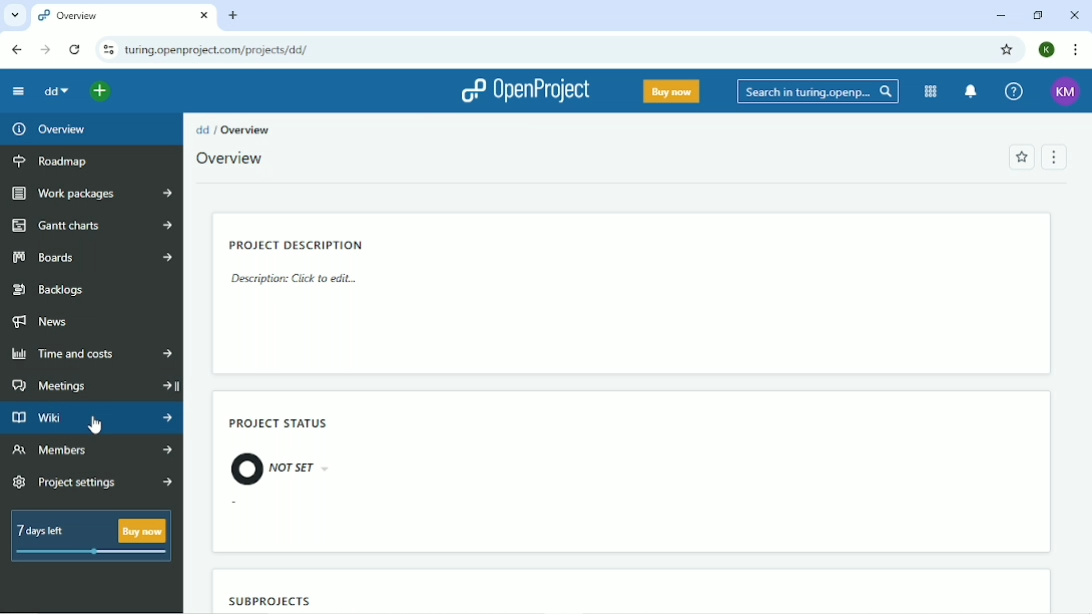 Image resolution: width=1092 pixels, height=614 pixels. What do you see at coordinates (296, 277) in the screenshot?
I see `Description: Click to edit...` at bounding box center [296, 277].